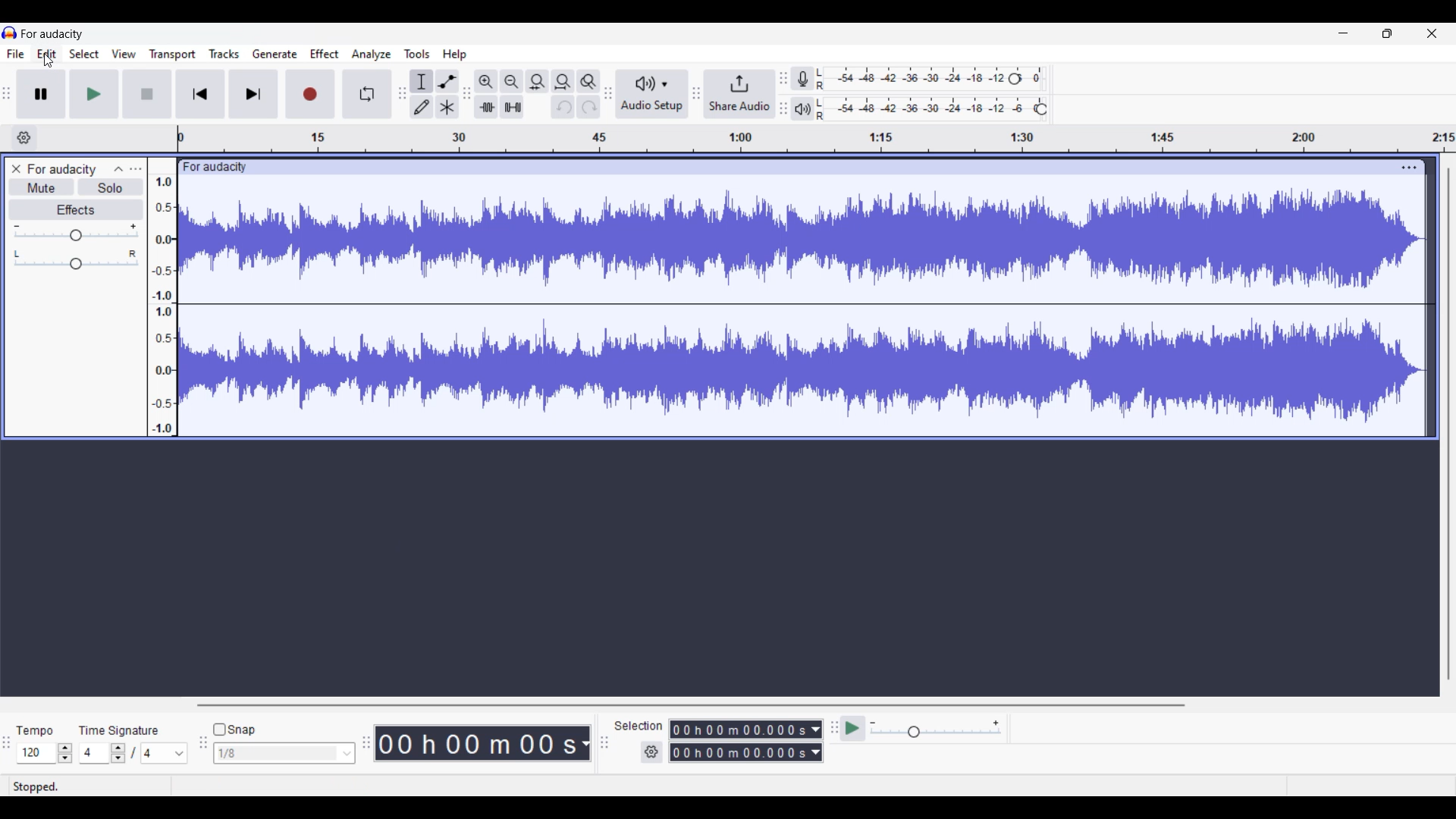 The width and height of the screenshot is (1456, 819). Describe the element at coordinates (64, 753) in the screenshot. I see `Increase/Decrease Tempo` at that location.